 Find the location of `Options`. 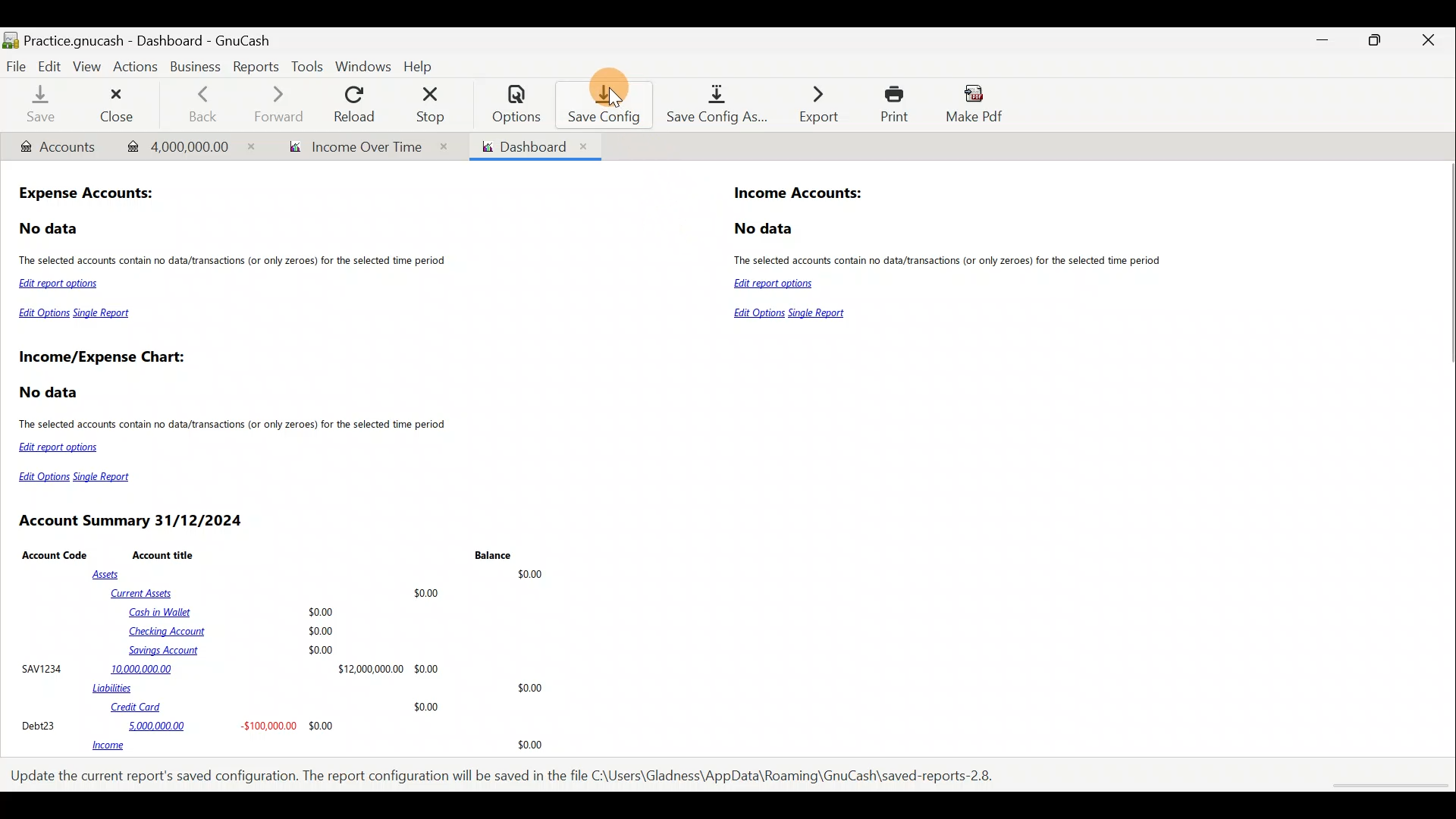

Options is located at coordinates (509, 104).